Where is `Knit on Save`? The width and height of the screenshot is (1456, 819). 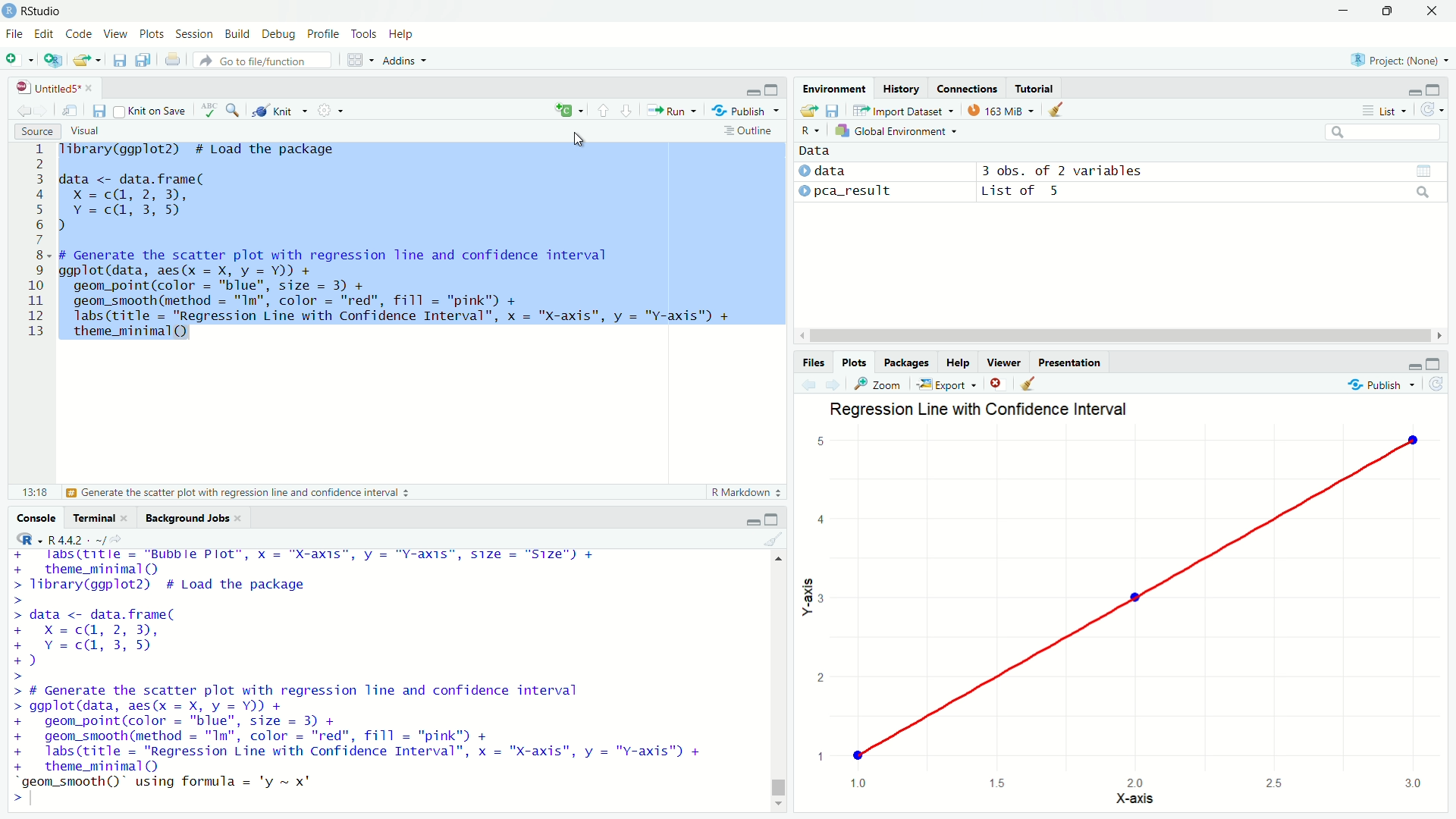
Knit on Save is located at coordinates (151, 110).